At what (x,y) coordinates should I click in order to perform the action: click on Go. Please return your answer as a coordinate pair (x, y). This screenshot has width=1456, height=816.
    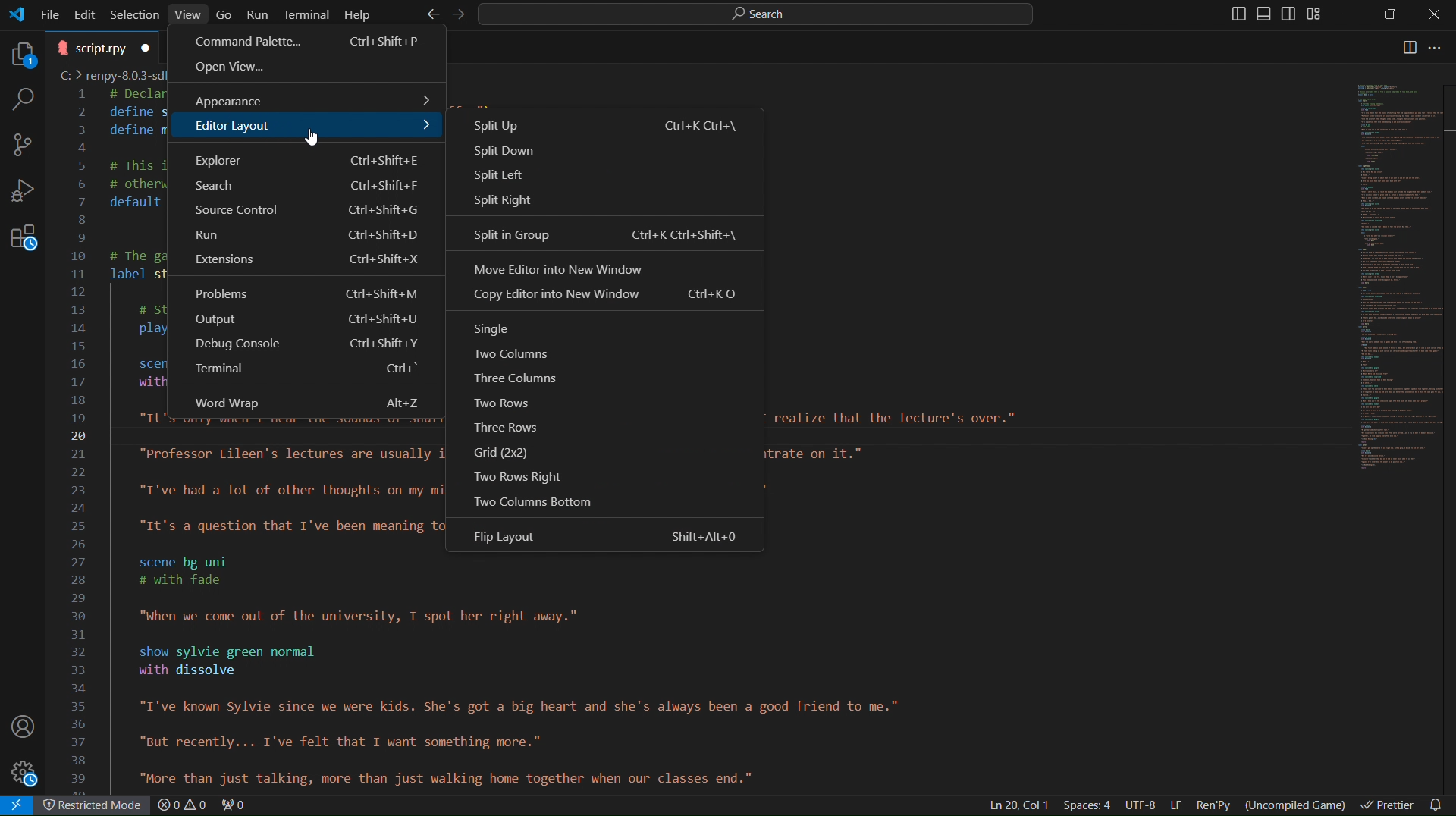
    Looking at the image, I should click on (225, 13).